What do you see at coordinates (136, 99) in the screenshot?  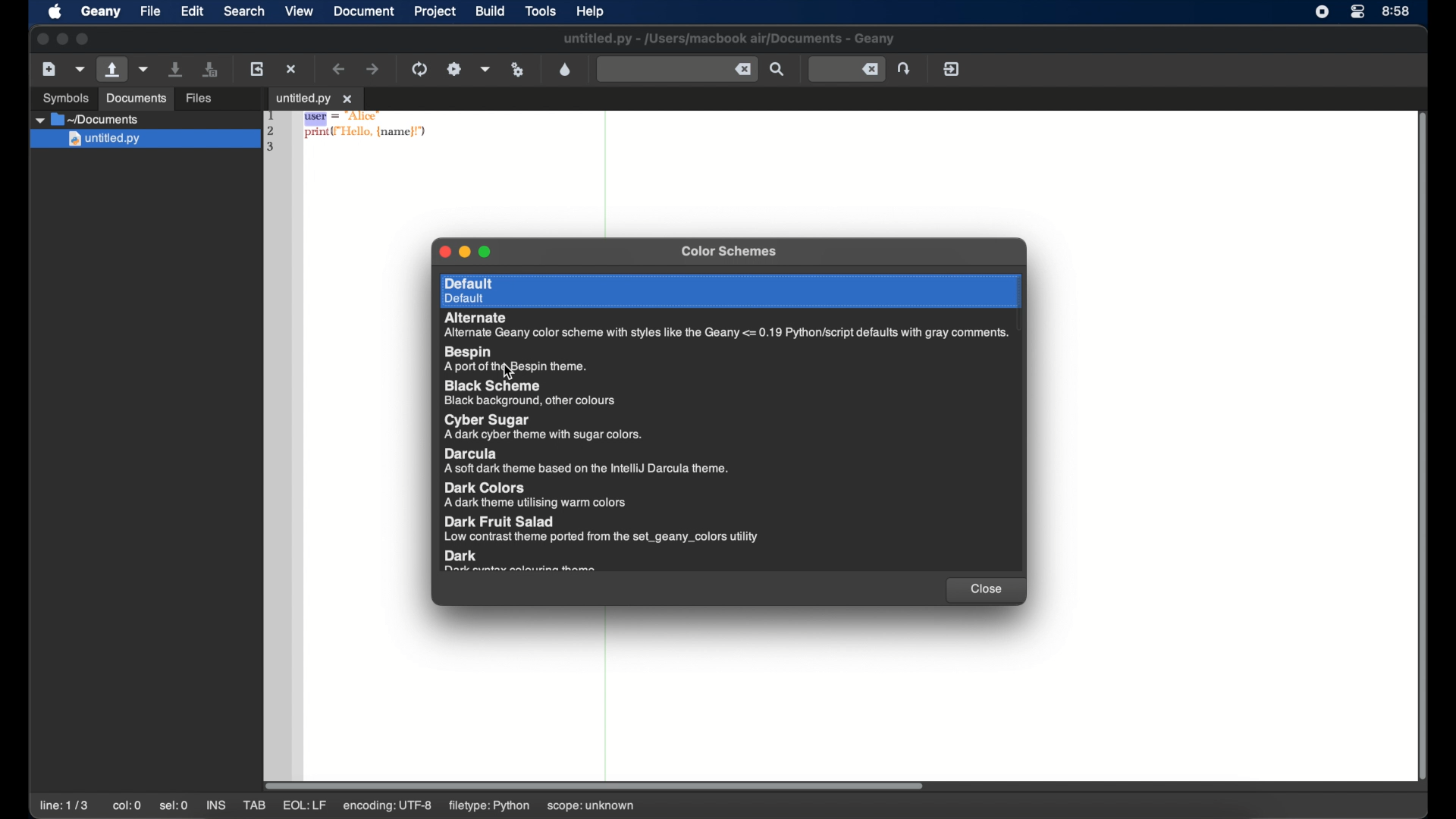 I see `documents` at bounding box center [136, 99].